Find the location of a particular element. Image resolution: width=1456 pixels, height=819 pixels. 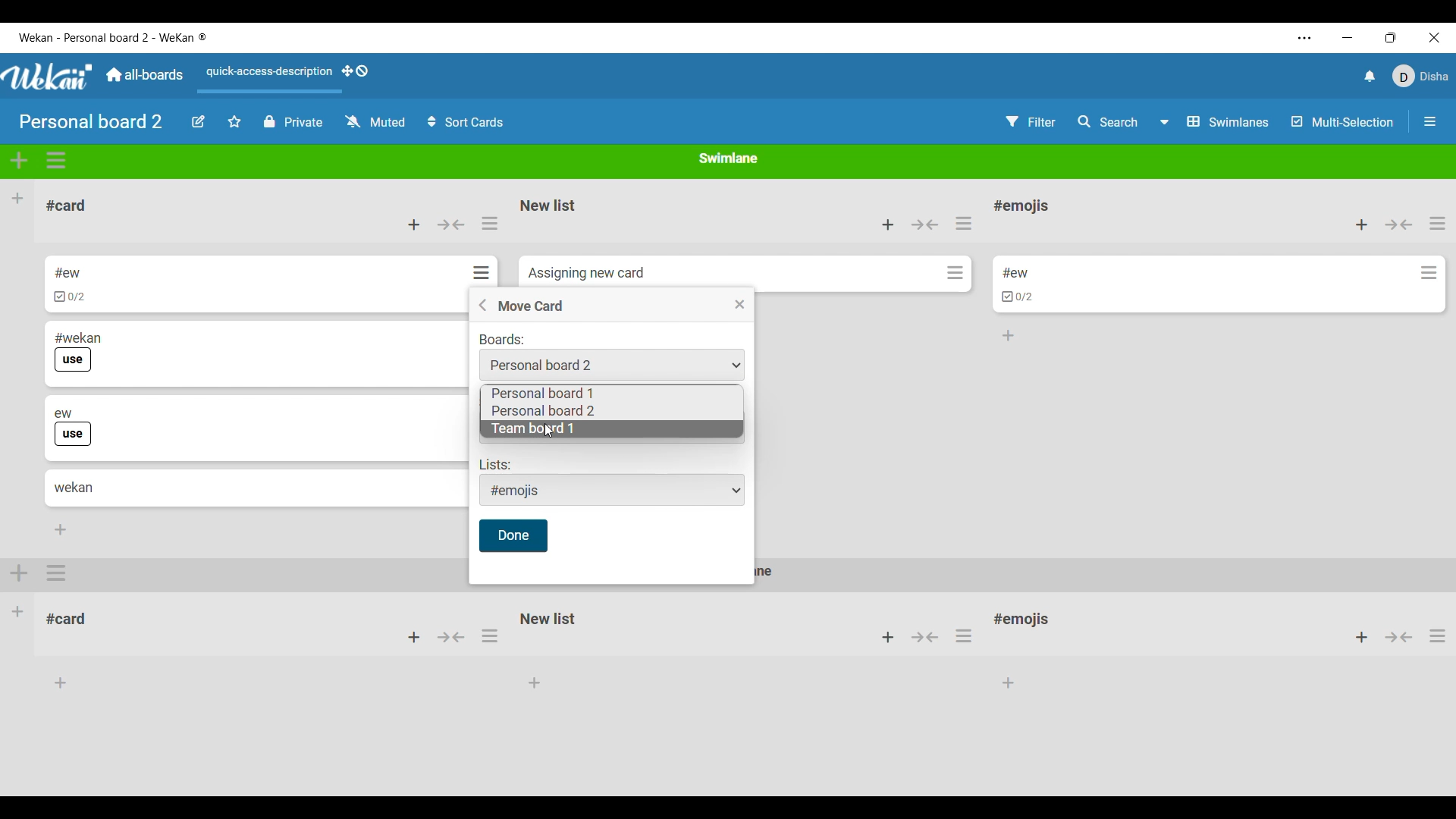

Swimlane actions is located at coordinates (57, 161).